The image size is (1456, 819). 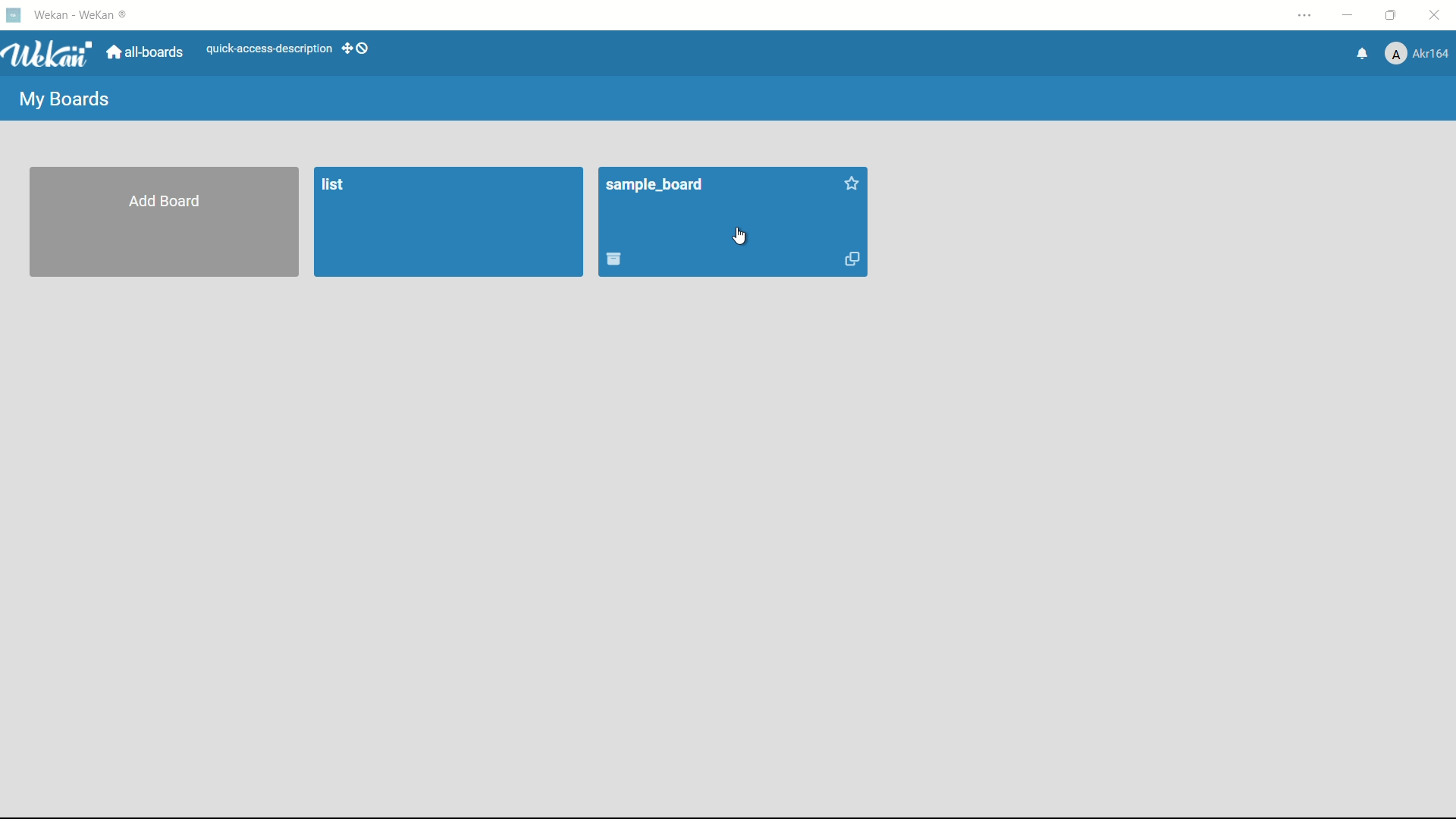 What do you see at coordinates (1391, 14) in the screenshot?
I see `maximize` at bounding box center [1391, 14].